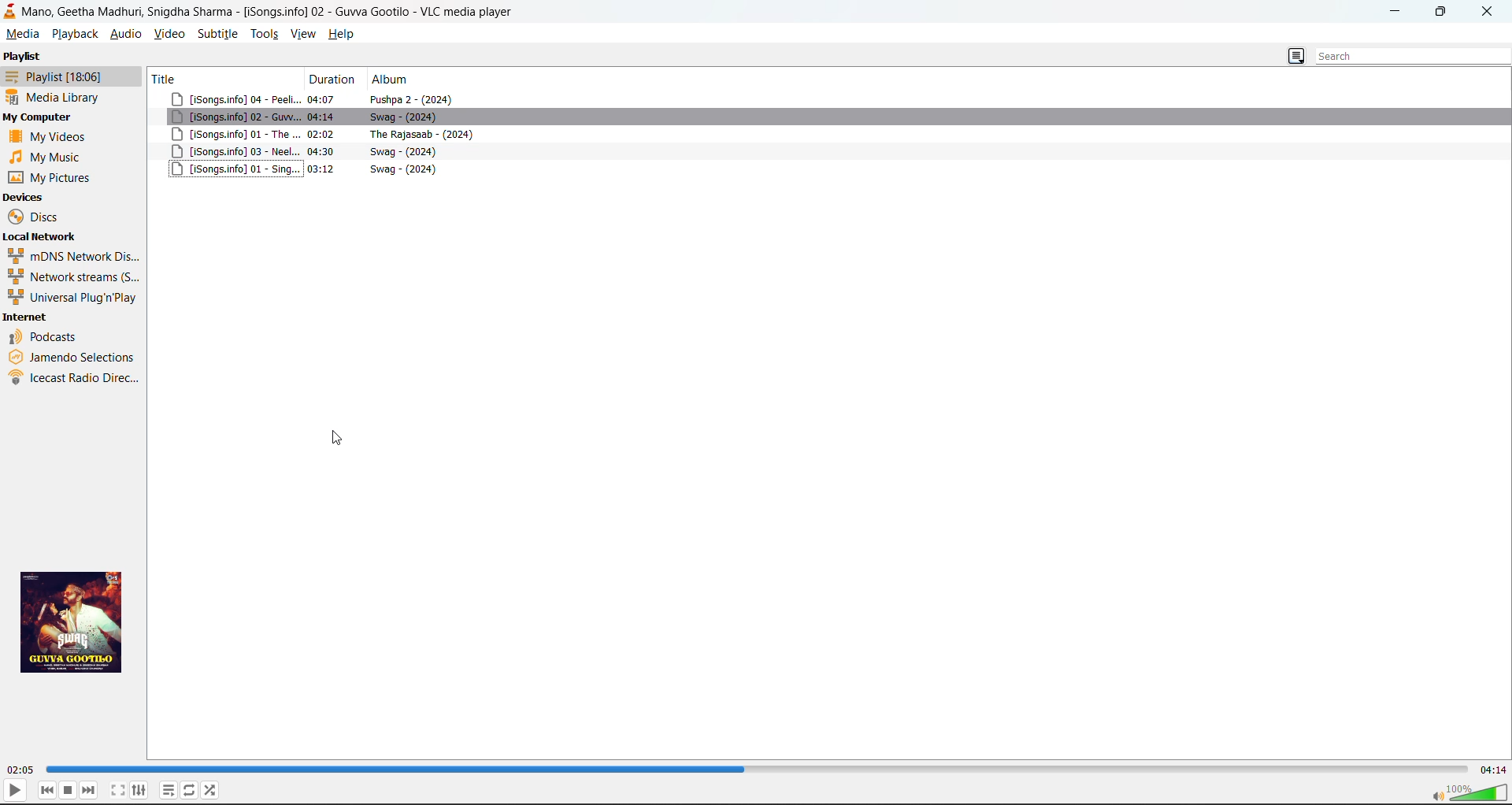 The image size is (1512, 805). I want to click on videos, so click(51, 135).